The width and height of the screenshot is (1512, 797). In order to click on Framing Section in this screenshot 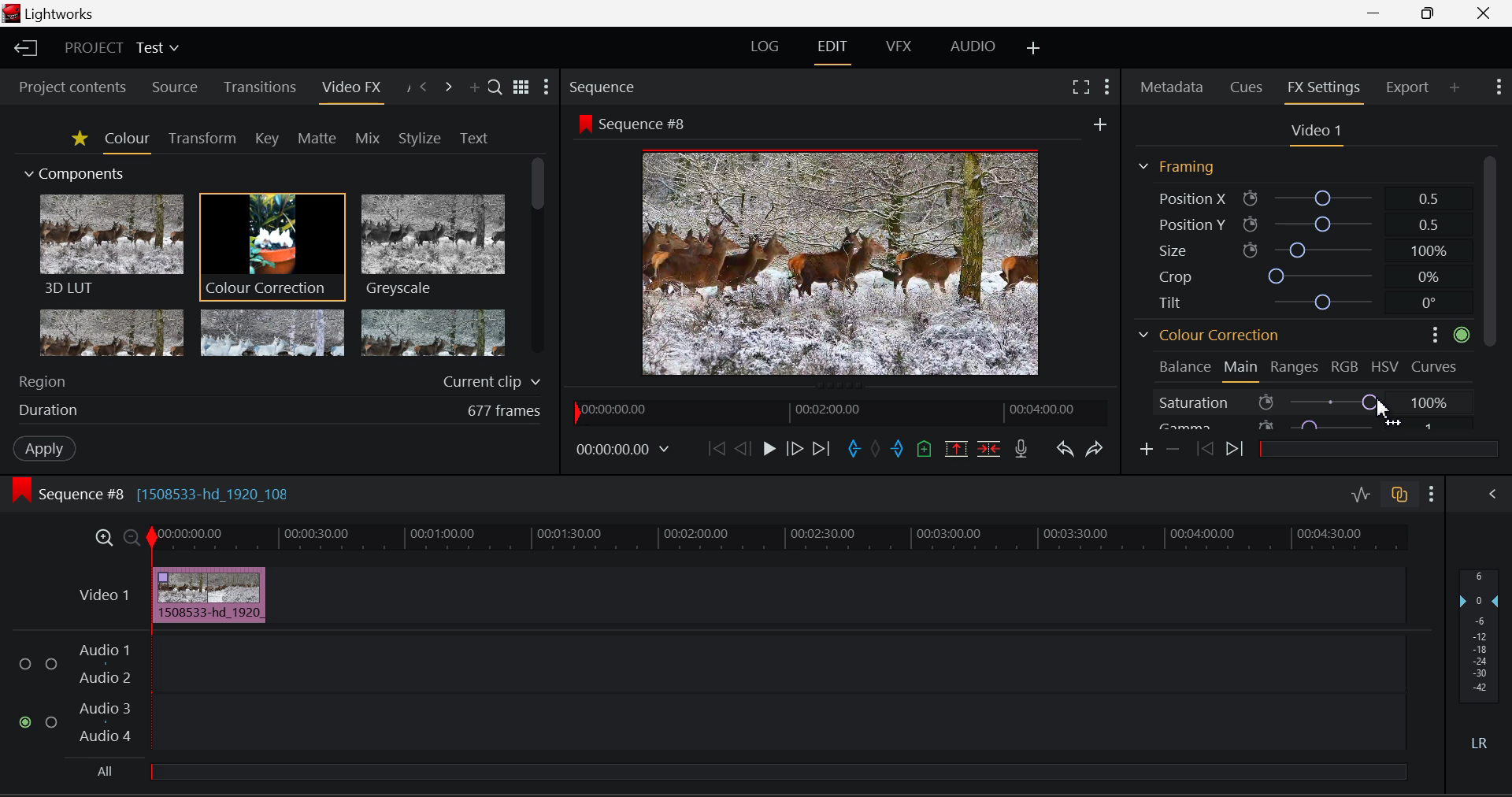, I will do `click(1177, 168)`.